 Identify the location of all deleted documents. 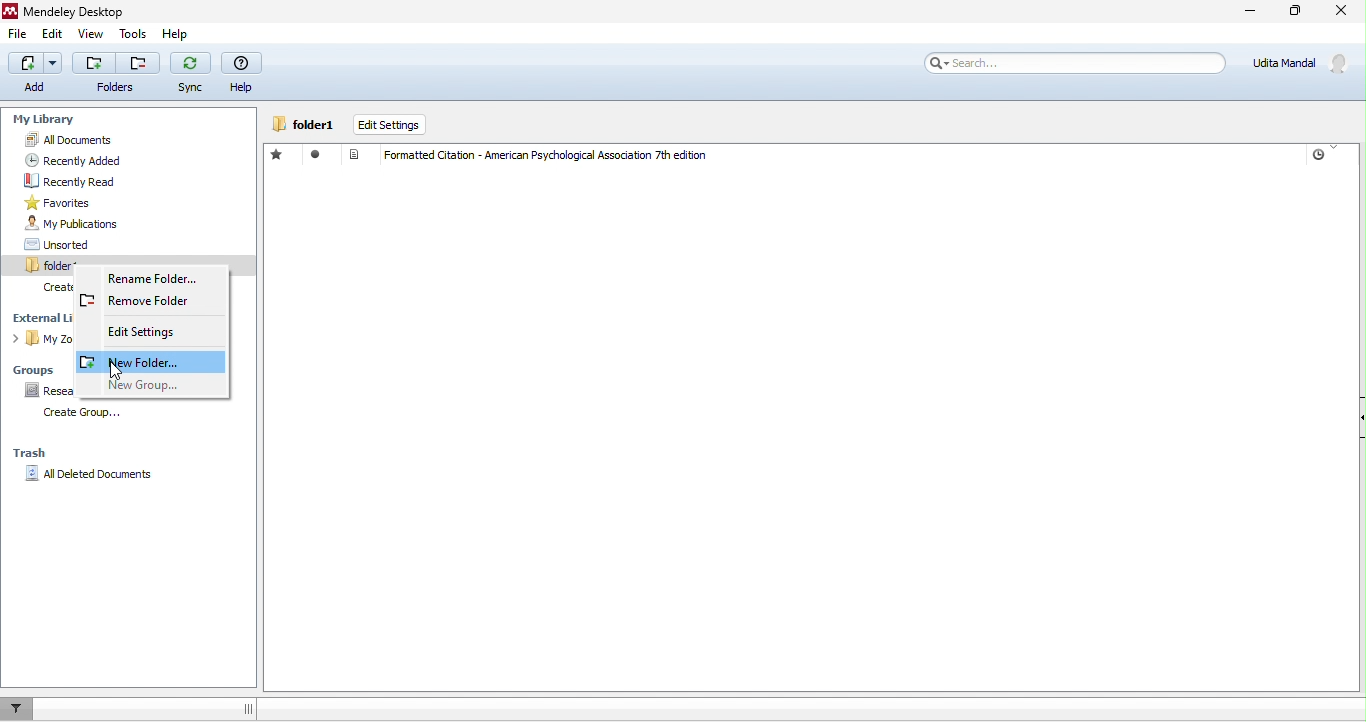
(138, 474).